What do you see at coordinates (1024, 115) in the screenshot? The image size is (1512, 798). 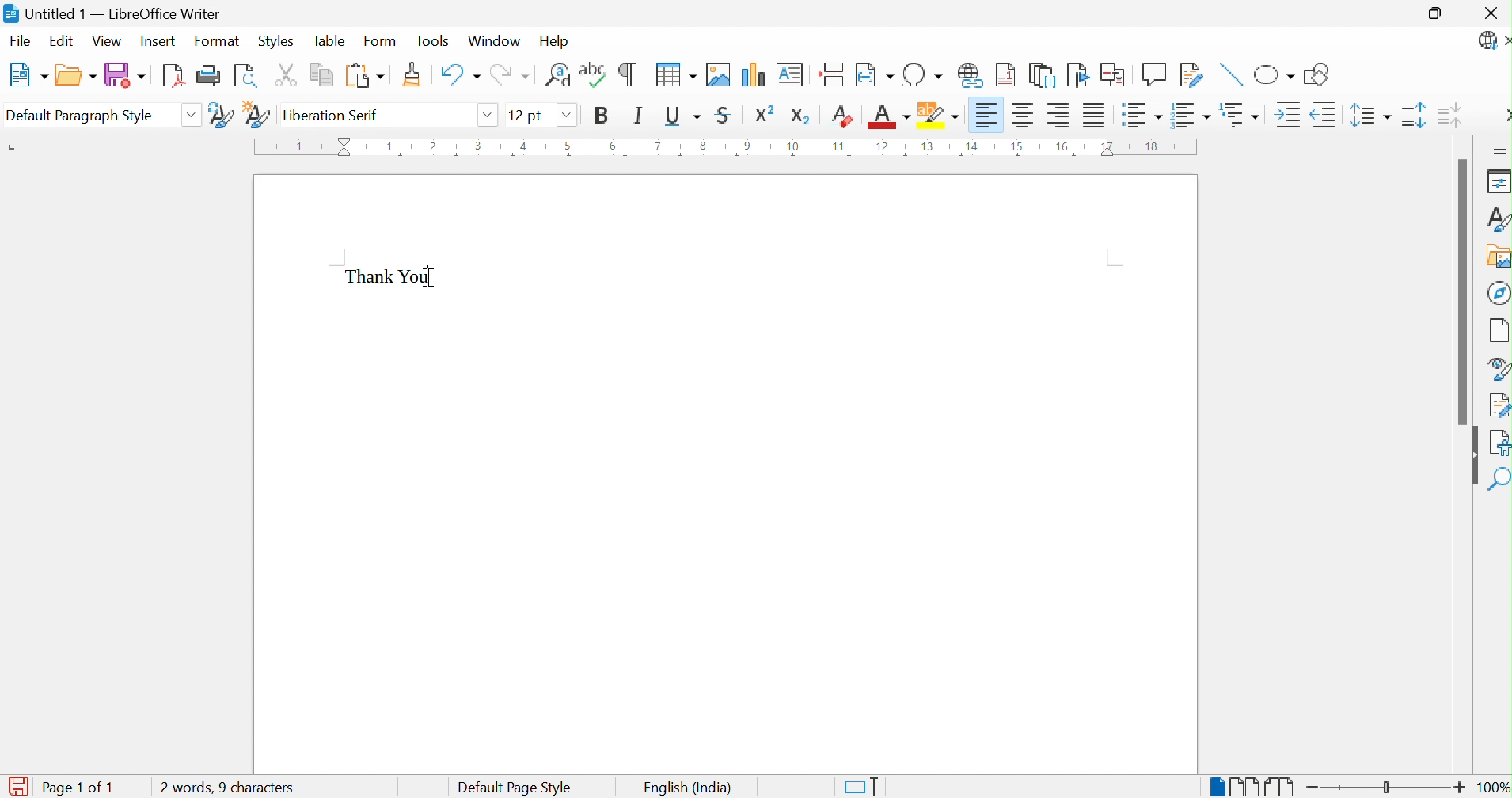 I see `Align Center` at bounding box center [1024, 115].